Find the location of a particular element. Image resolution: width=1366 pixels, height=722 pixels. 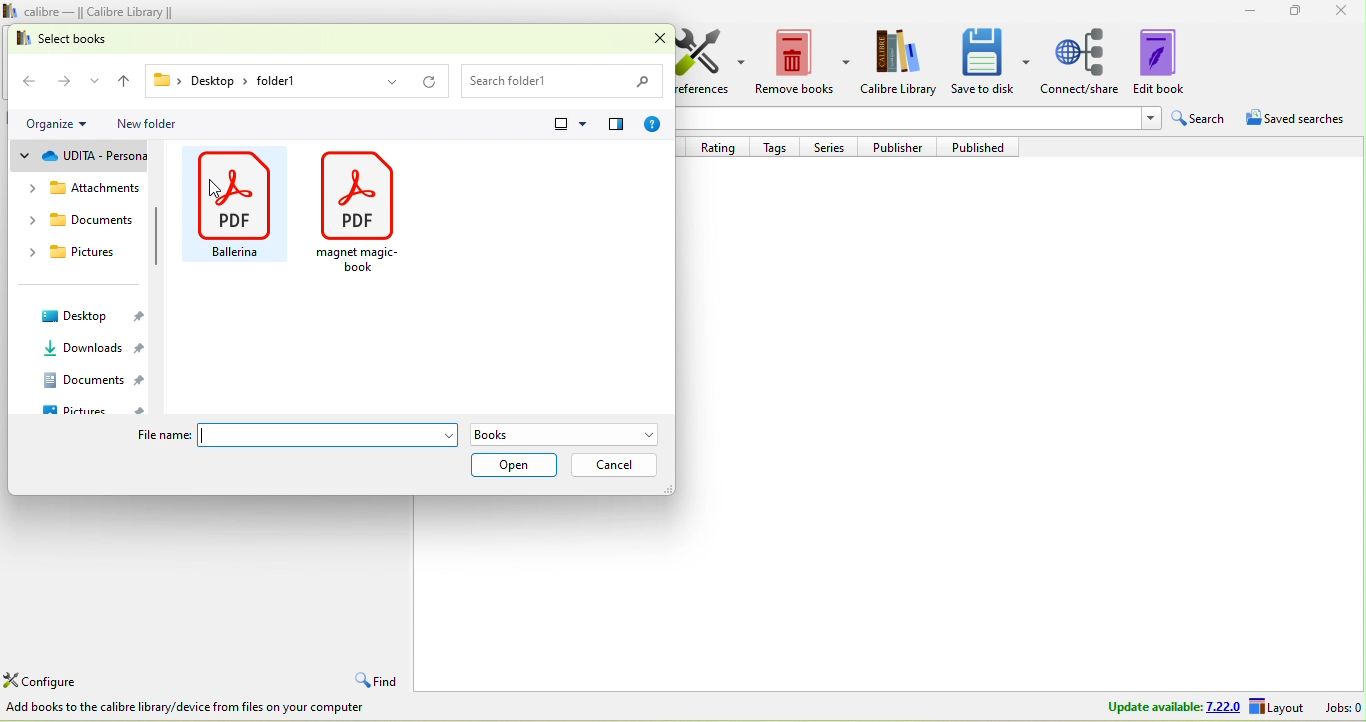

calibre library is located at coordinates (901, 63).